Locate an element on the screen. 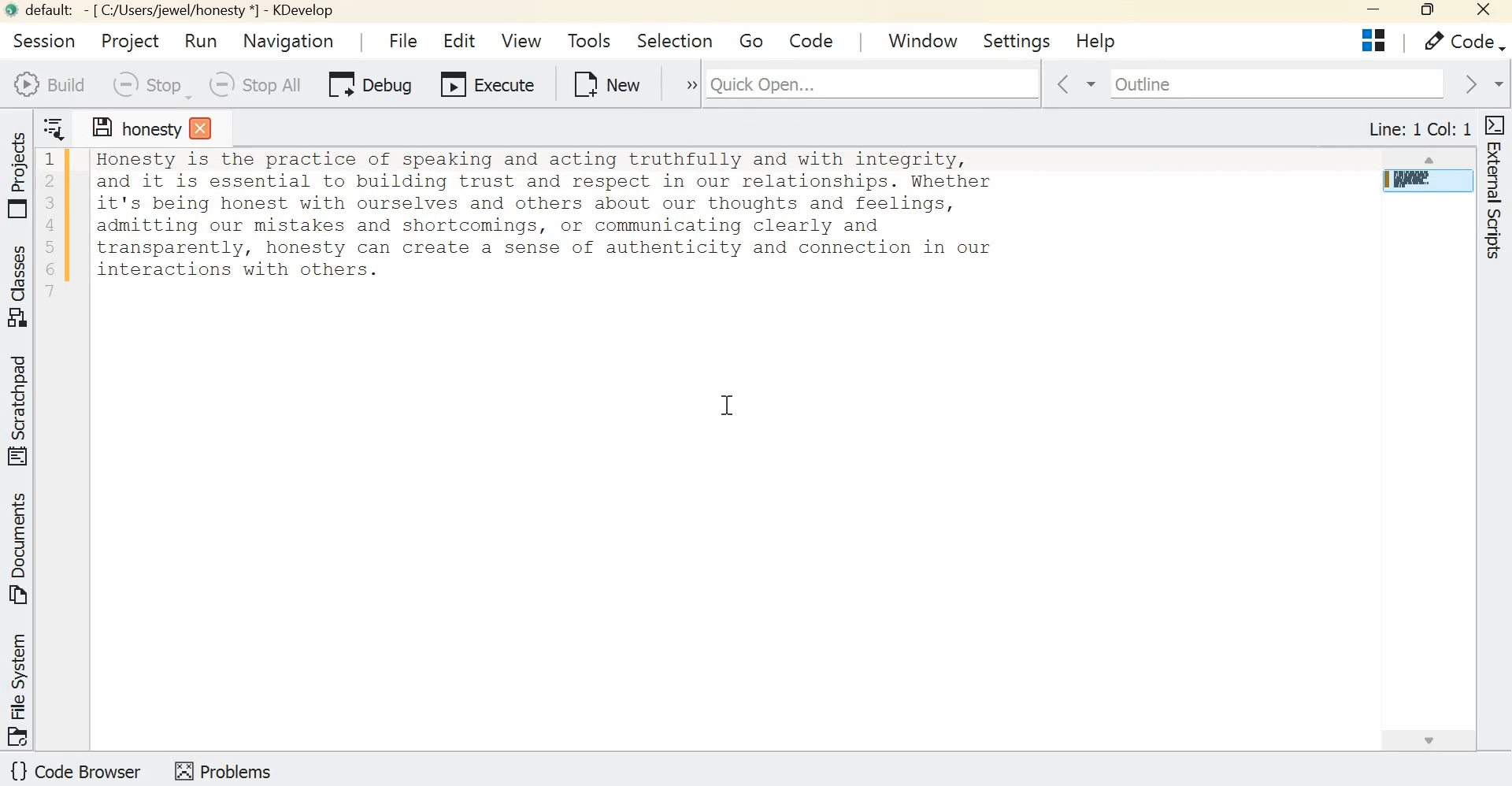 Image resolution: width=1512 pixels, height=786 pixels. Minimize is located at coordinates (1368, 12).